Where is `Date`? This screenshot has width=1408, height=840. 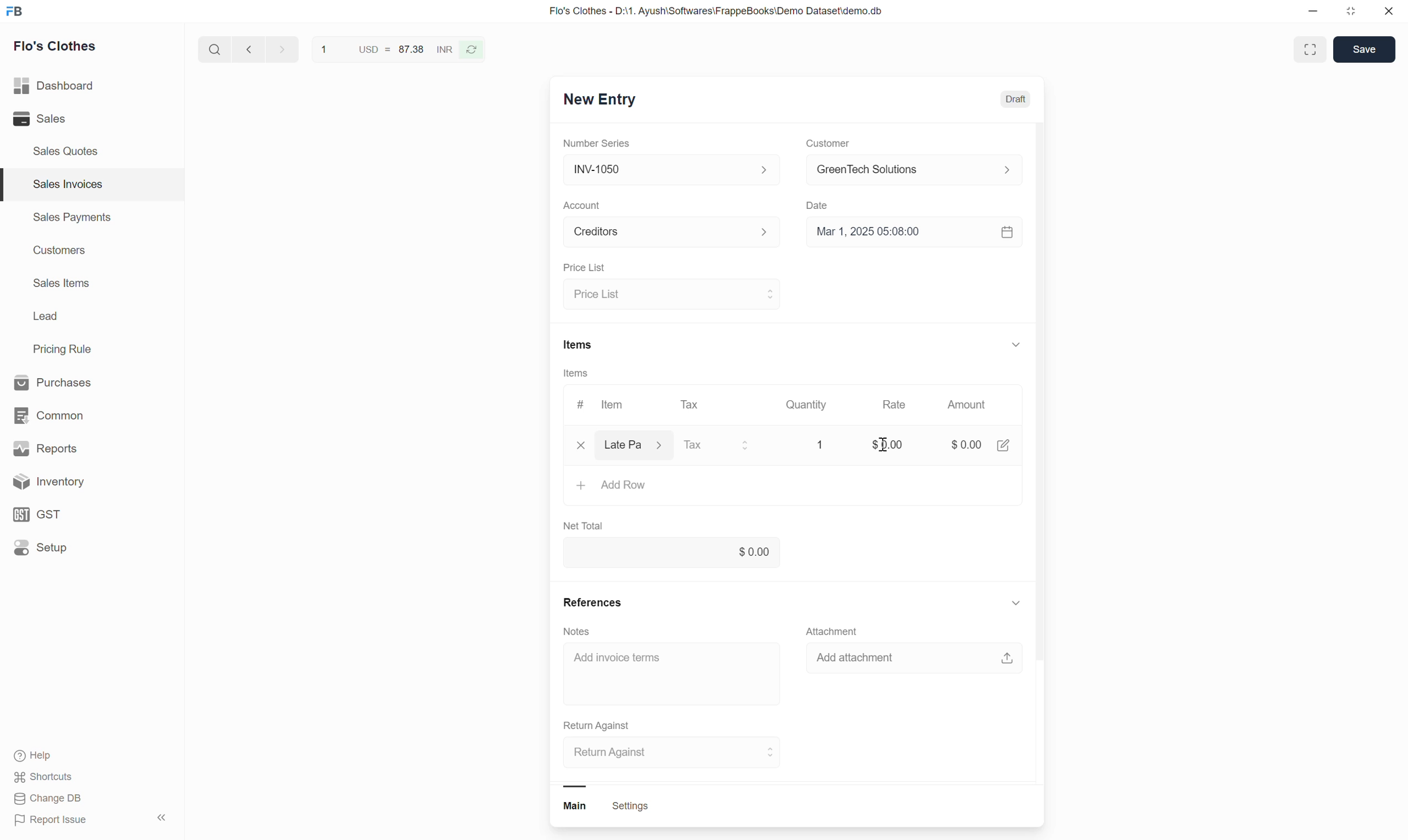
Date is located at coordinates (820, 207).